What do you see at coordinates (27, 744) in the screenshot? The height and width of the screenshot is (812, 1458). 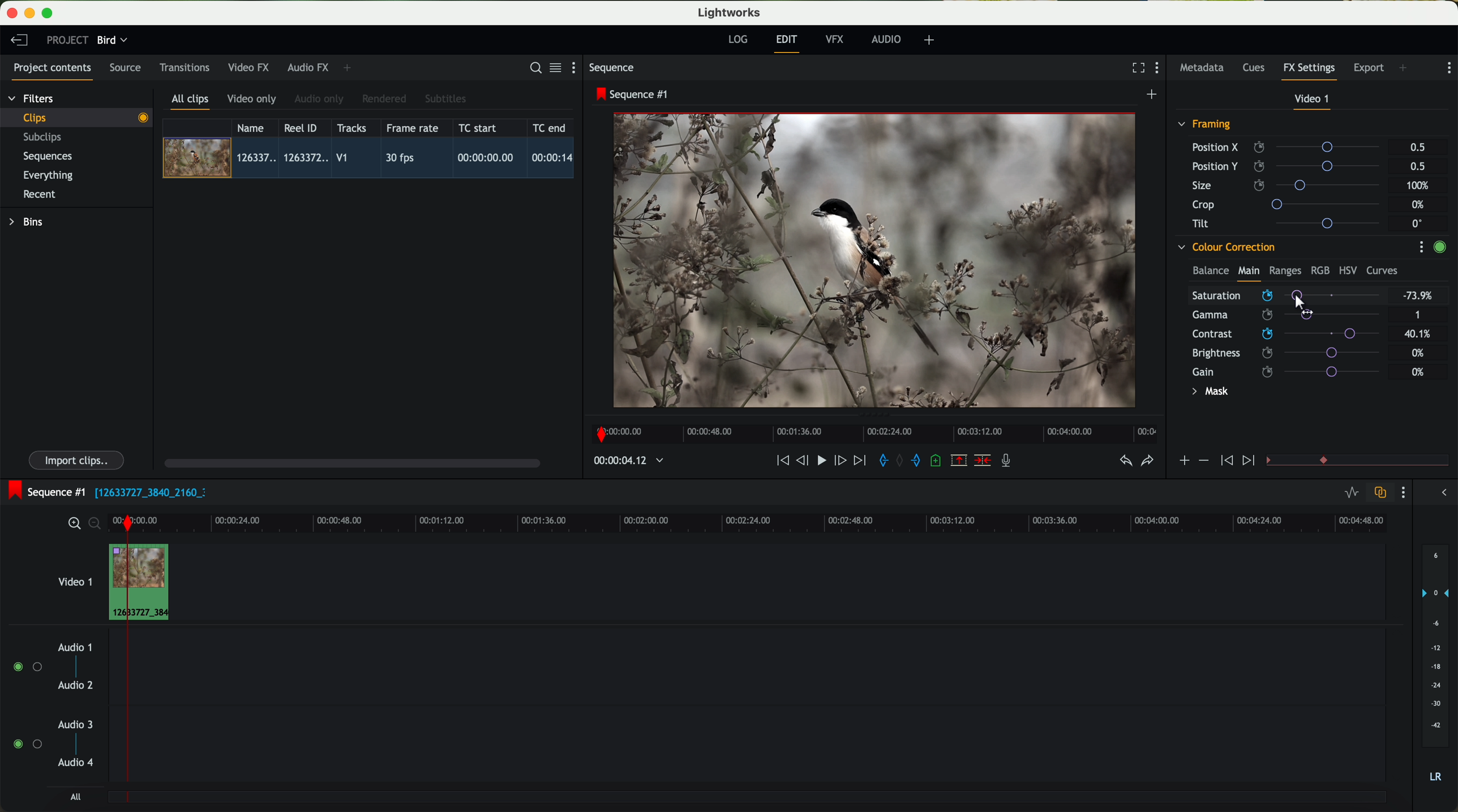 I see `enable audio` at bounding box center [27, 744].